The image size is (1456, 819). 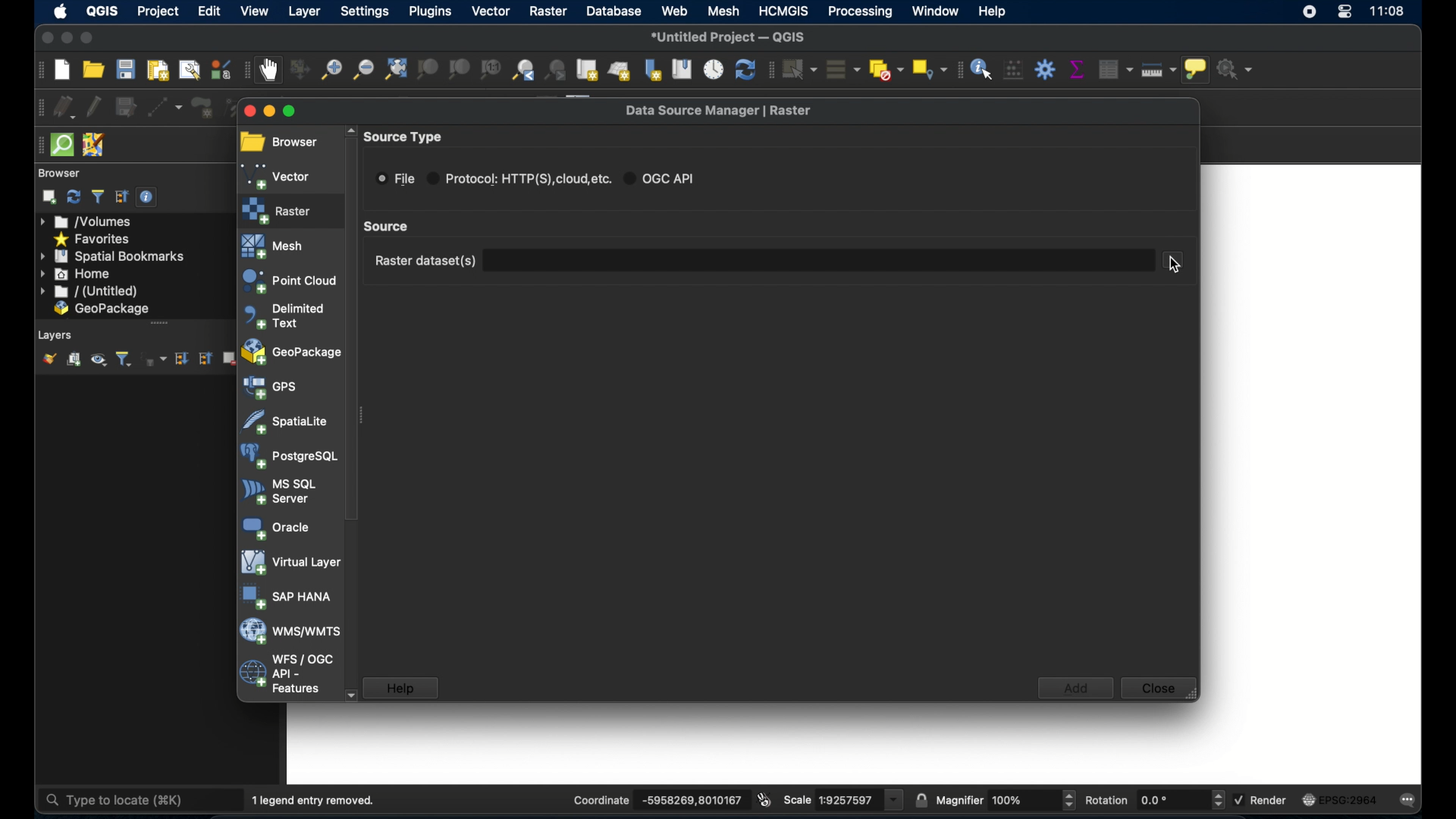 I want to click on source type, so click(x=406, y=135).